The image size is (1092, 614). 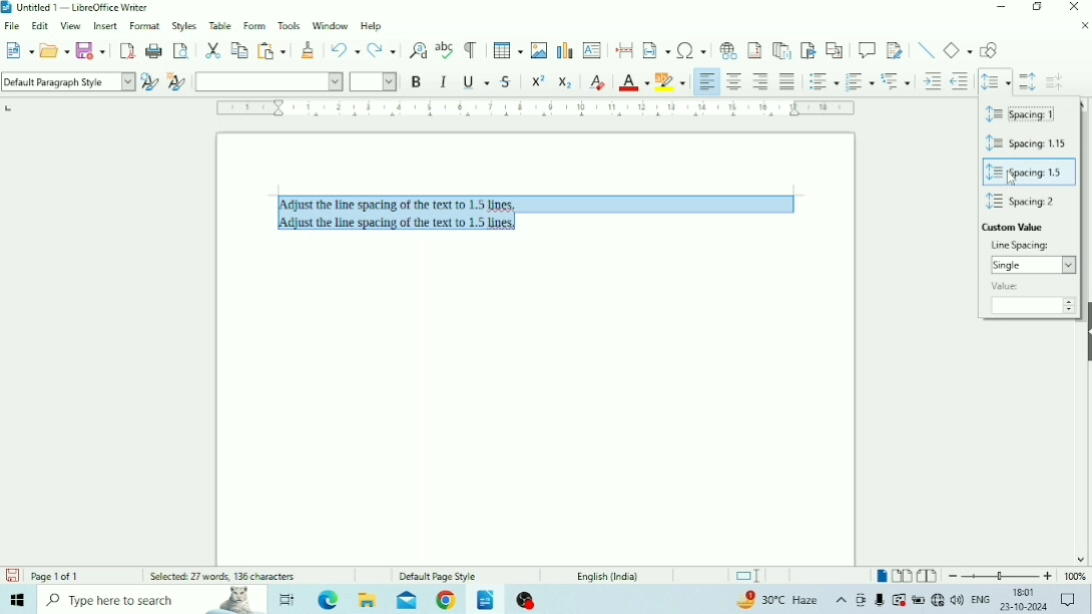 What do you see at coordinates (72, 27) in the screenshot?
I see `View` at bounding box center [72, 27].